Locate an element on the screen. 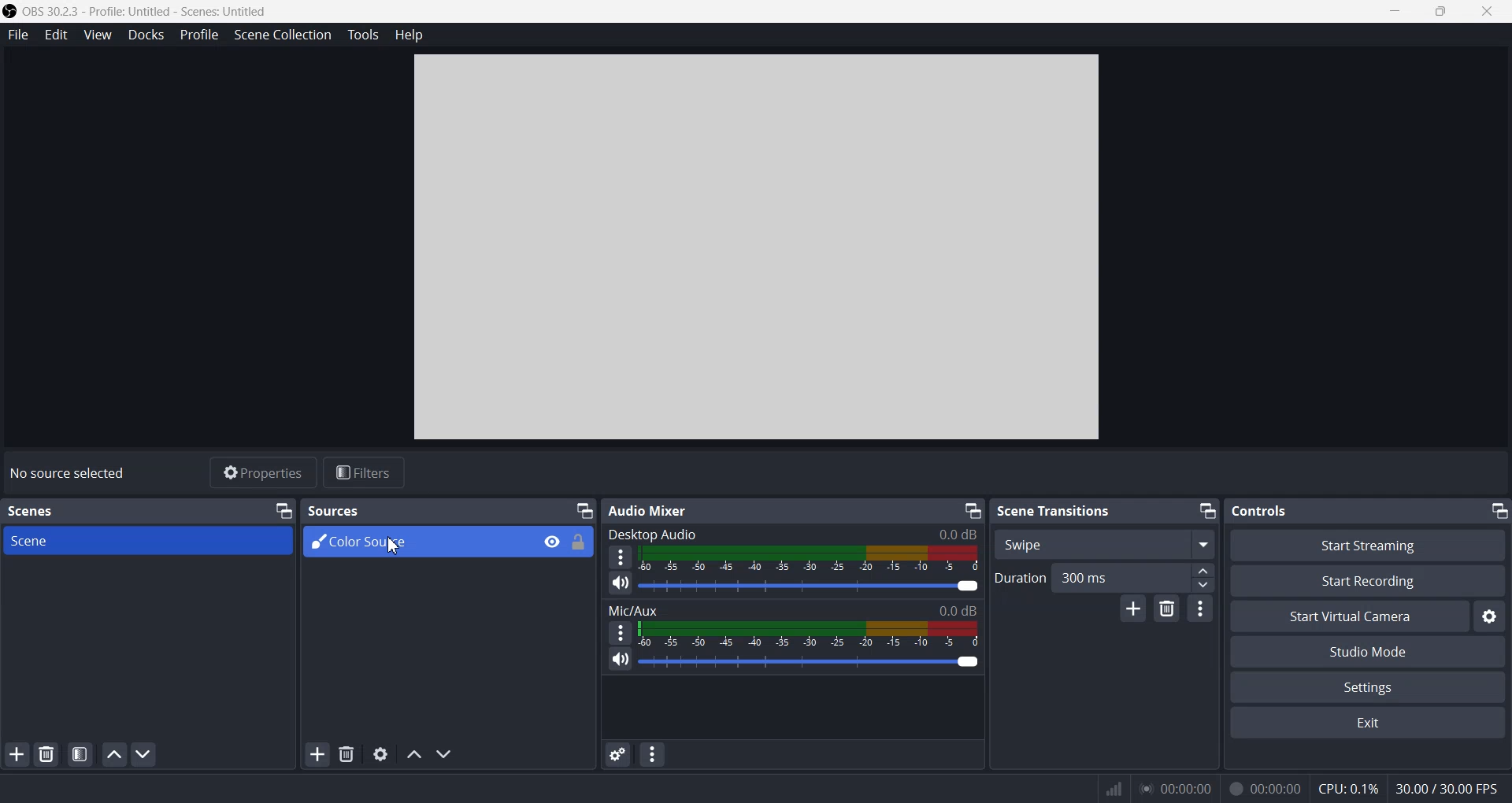 This screenshot has height=803, width=1512. Scene Transitions is located at coordinates (1055, 510).